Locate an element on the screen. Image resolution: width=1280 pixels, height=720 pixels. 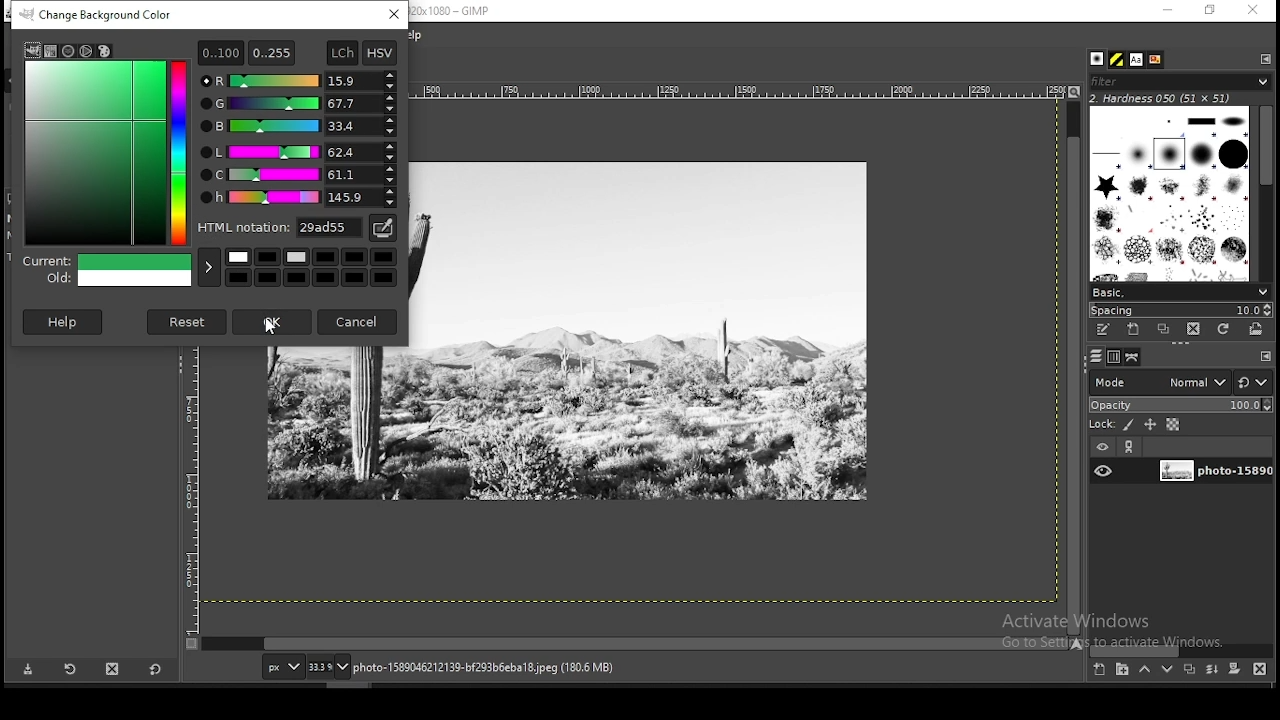
lch chroma is located at coordinates (298, 175).